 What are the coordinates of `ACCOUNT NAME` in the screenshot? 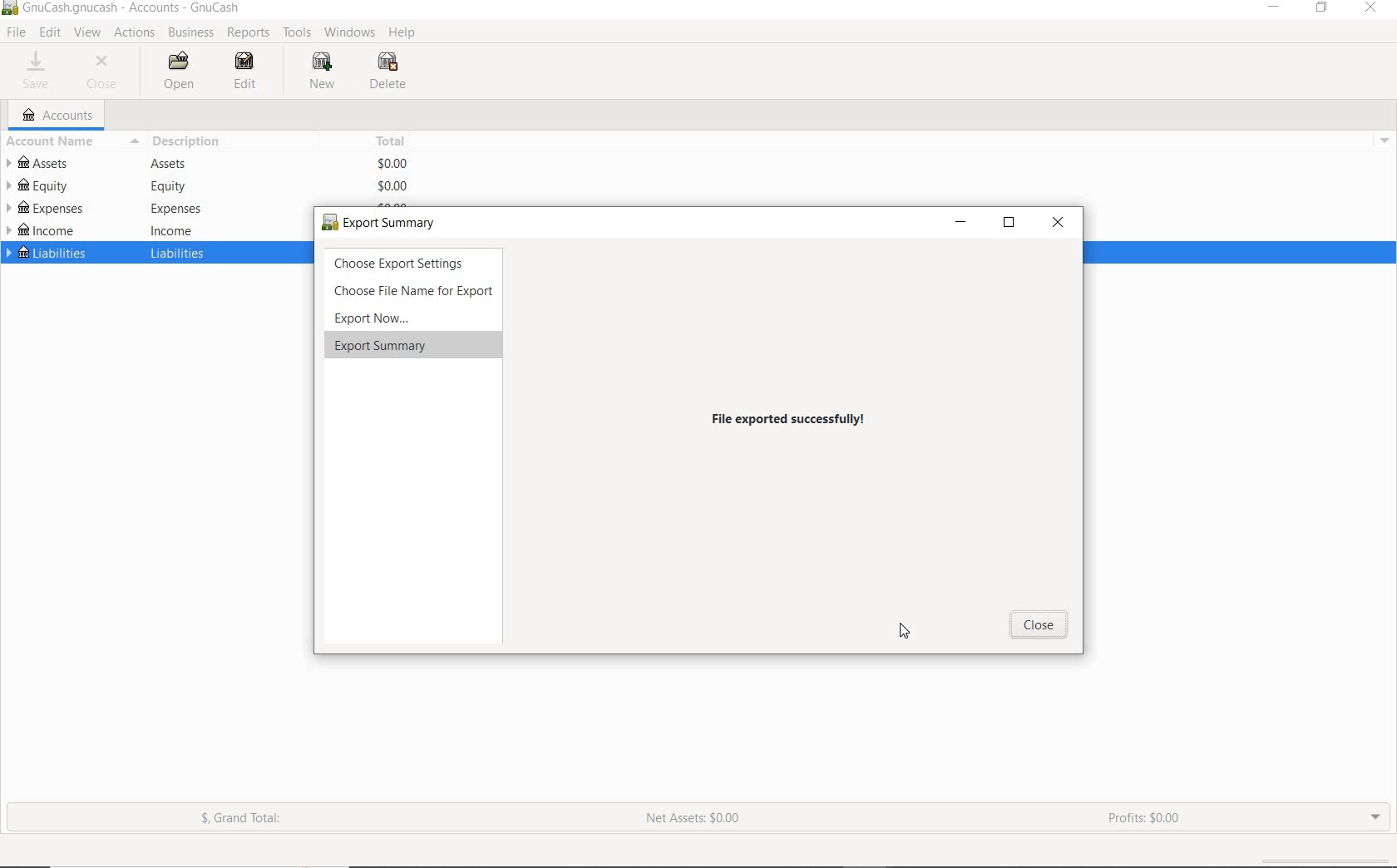 It's located at (49, 143).